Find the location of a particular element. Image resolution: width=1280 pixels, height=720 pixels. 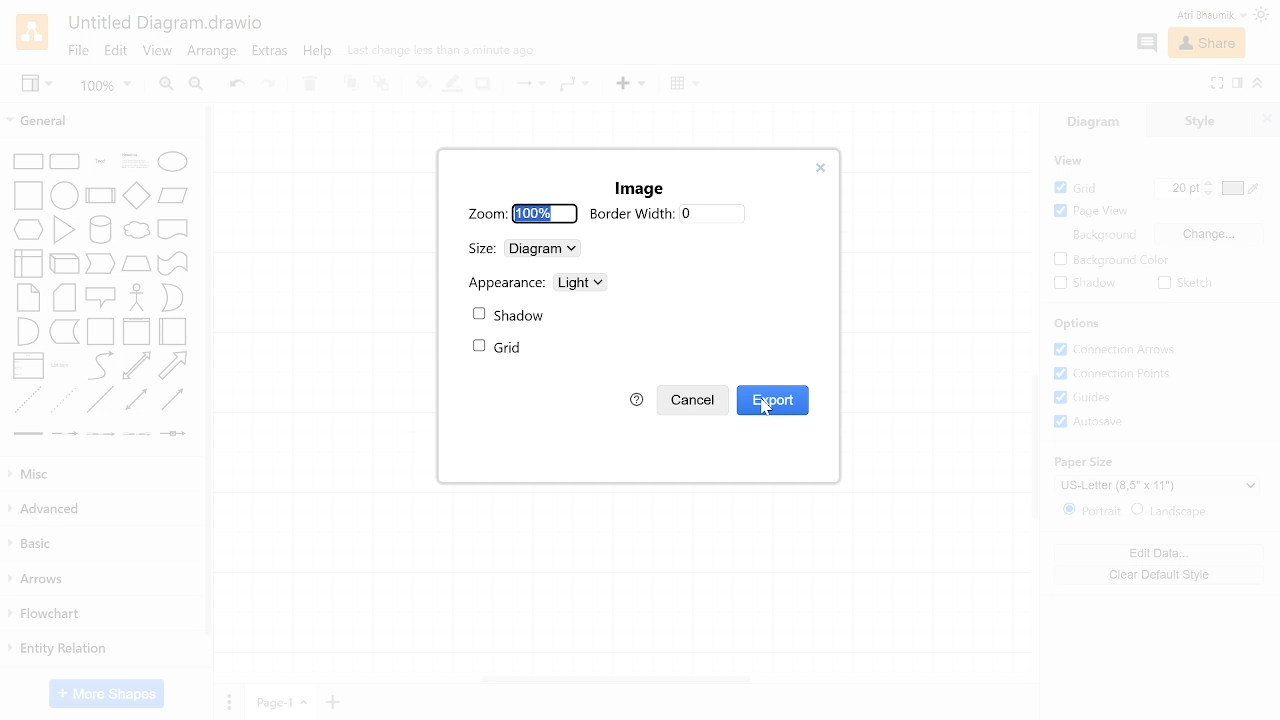

Connection points is located at coordinates (1126, 374).